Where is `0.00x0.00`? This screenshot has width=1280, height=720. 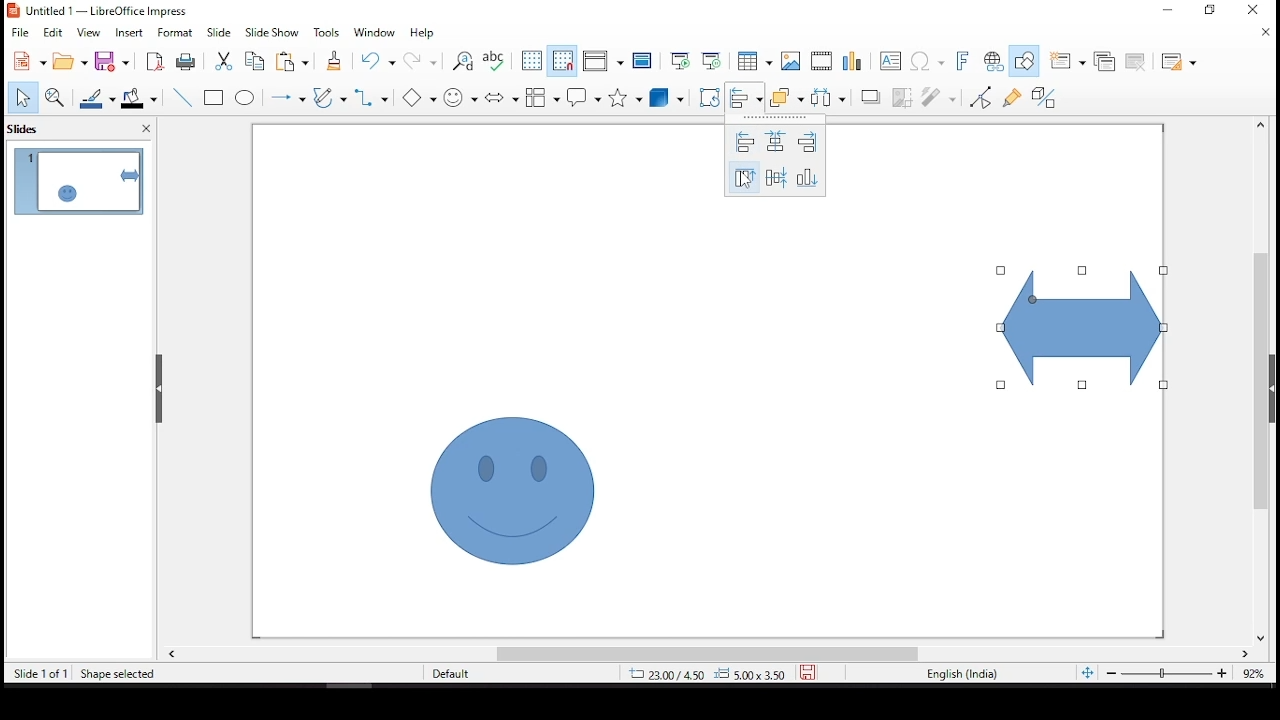
0.00x0.00 is located at coordinates (749, 673).